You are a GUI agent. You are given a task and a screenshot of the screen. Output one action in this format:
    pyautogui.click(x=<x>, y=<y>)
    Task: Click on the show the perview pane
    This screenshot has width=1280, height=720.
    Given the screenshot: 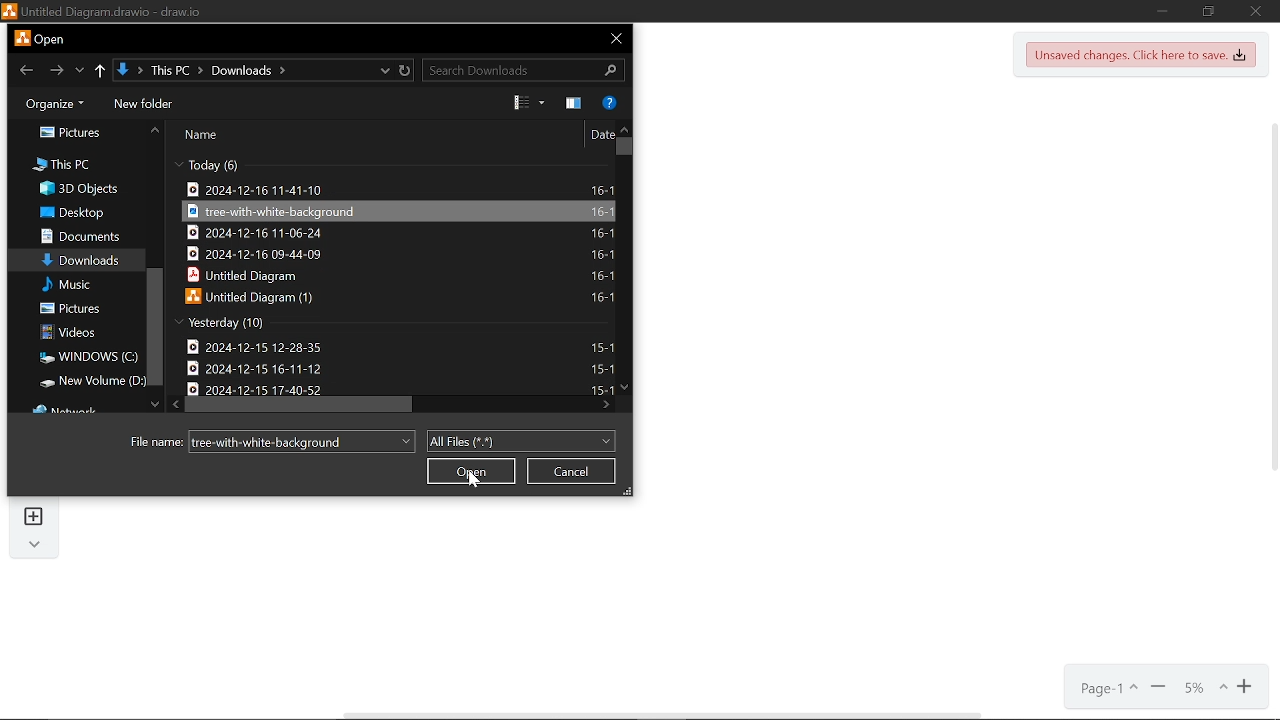 What is the action you would take?
    pyautogui.click(x=577, y=104)
    